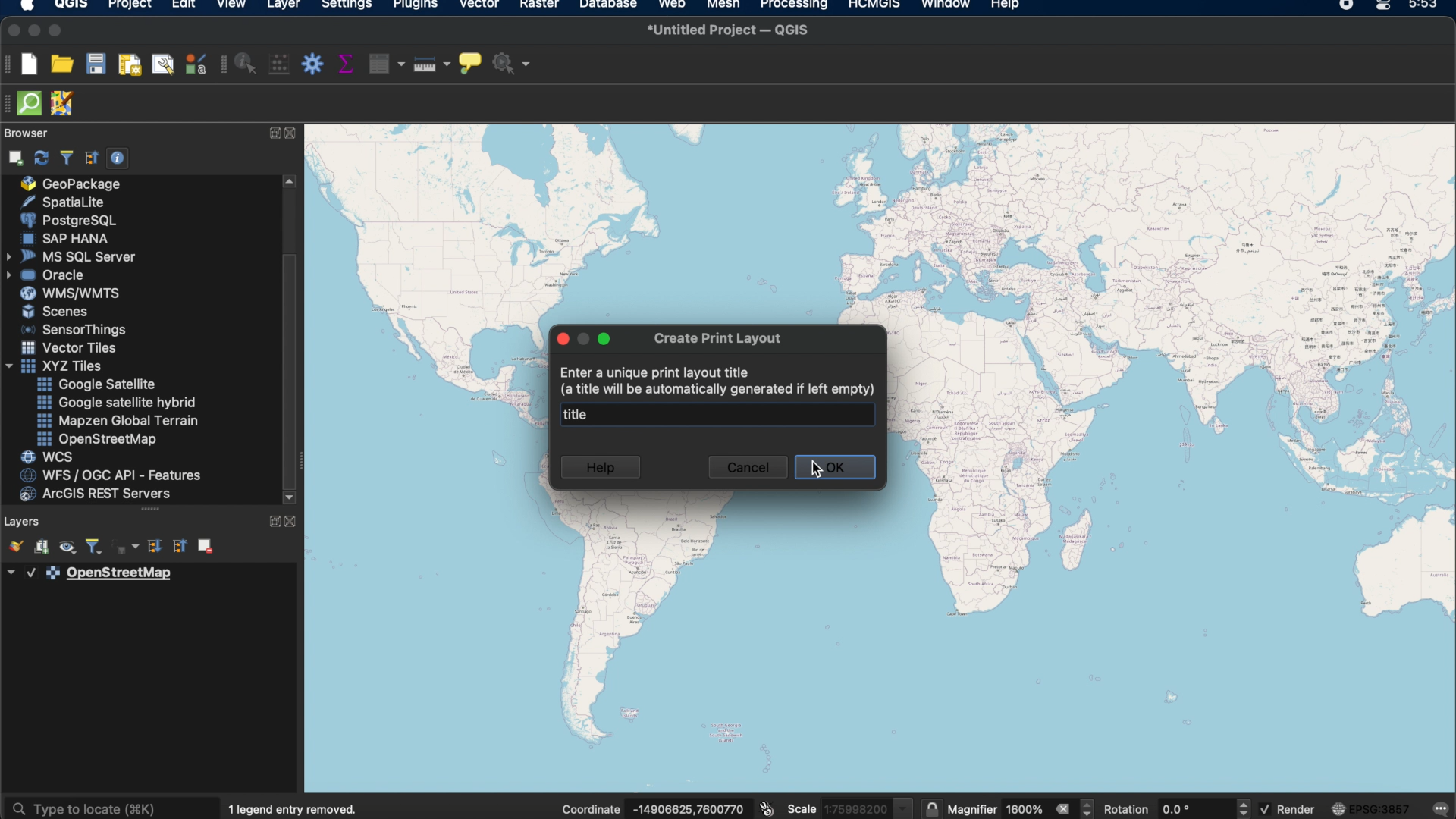  What do you see at coordinates (92, 158) in the screenshot?
I see `collapse all` at bounding box center [92, 158].